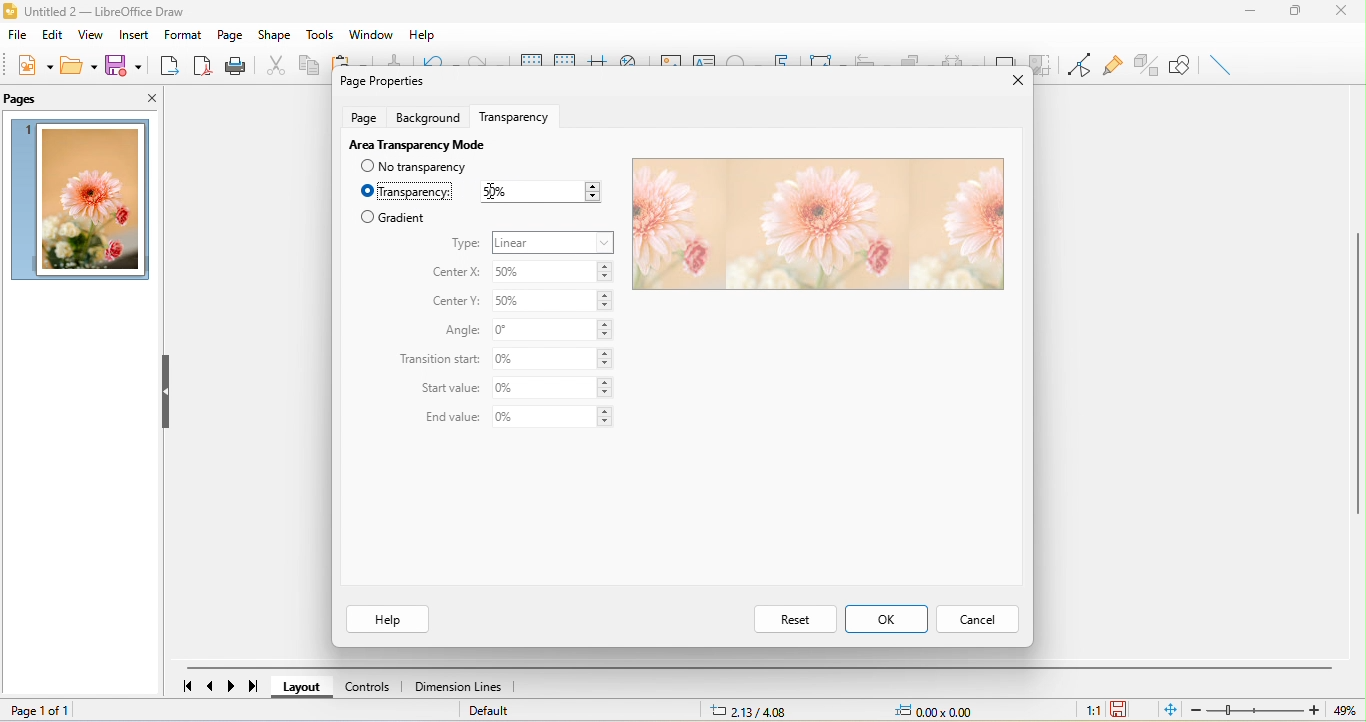 The width and height of the screenshot is (1366, 722). I want to click on cursor movement, so click(494, 190).